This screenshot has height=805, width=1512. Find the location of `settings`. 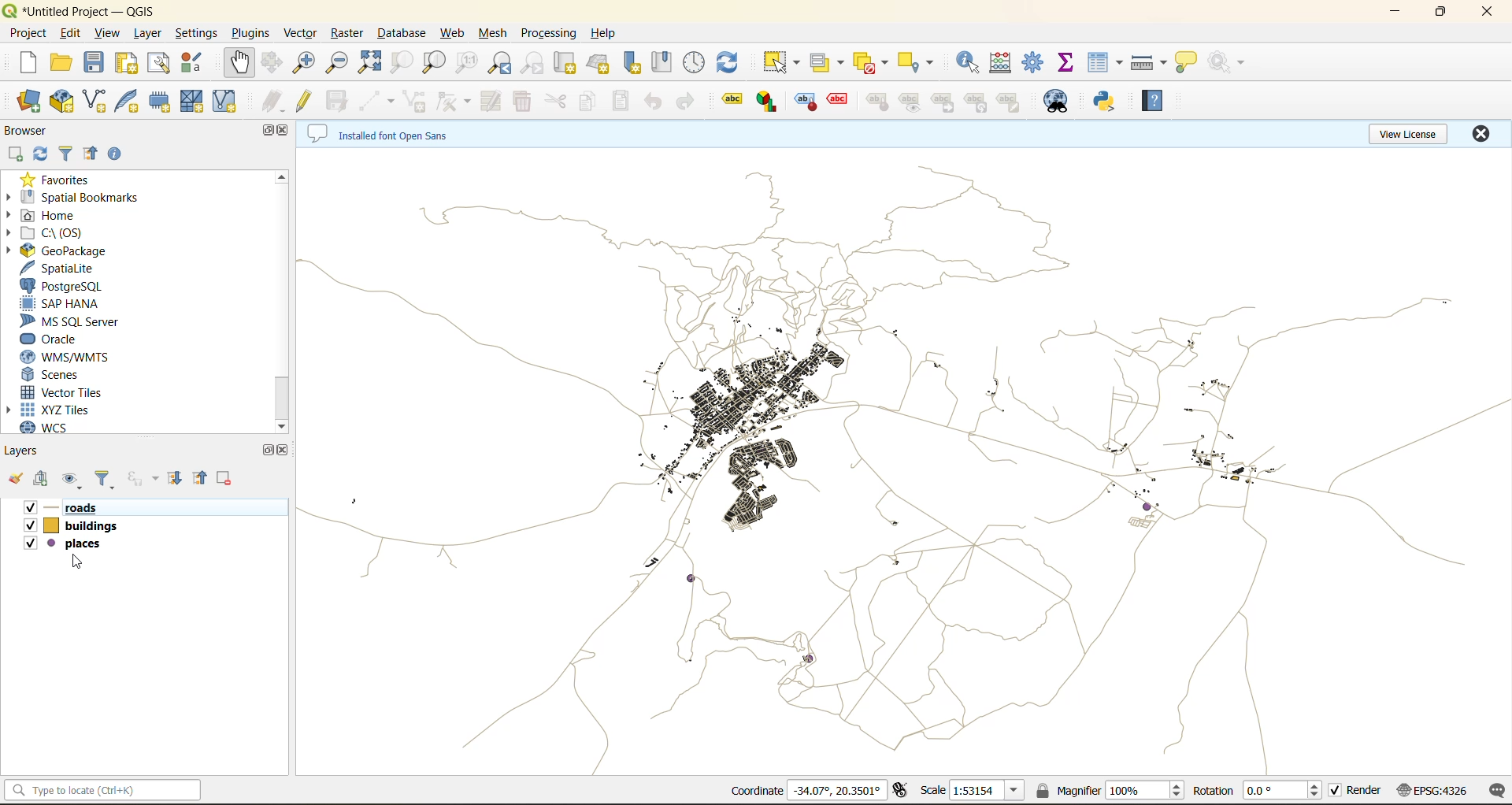

settings is located at coordinates (201, 35).